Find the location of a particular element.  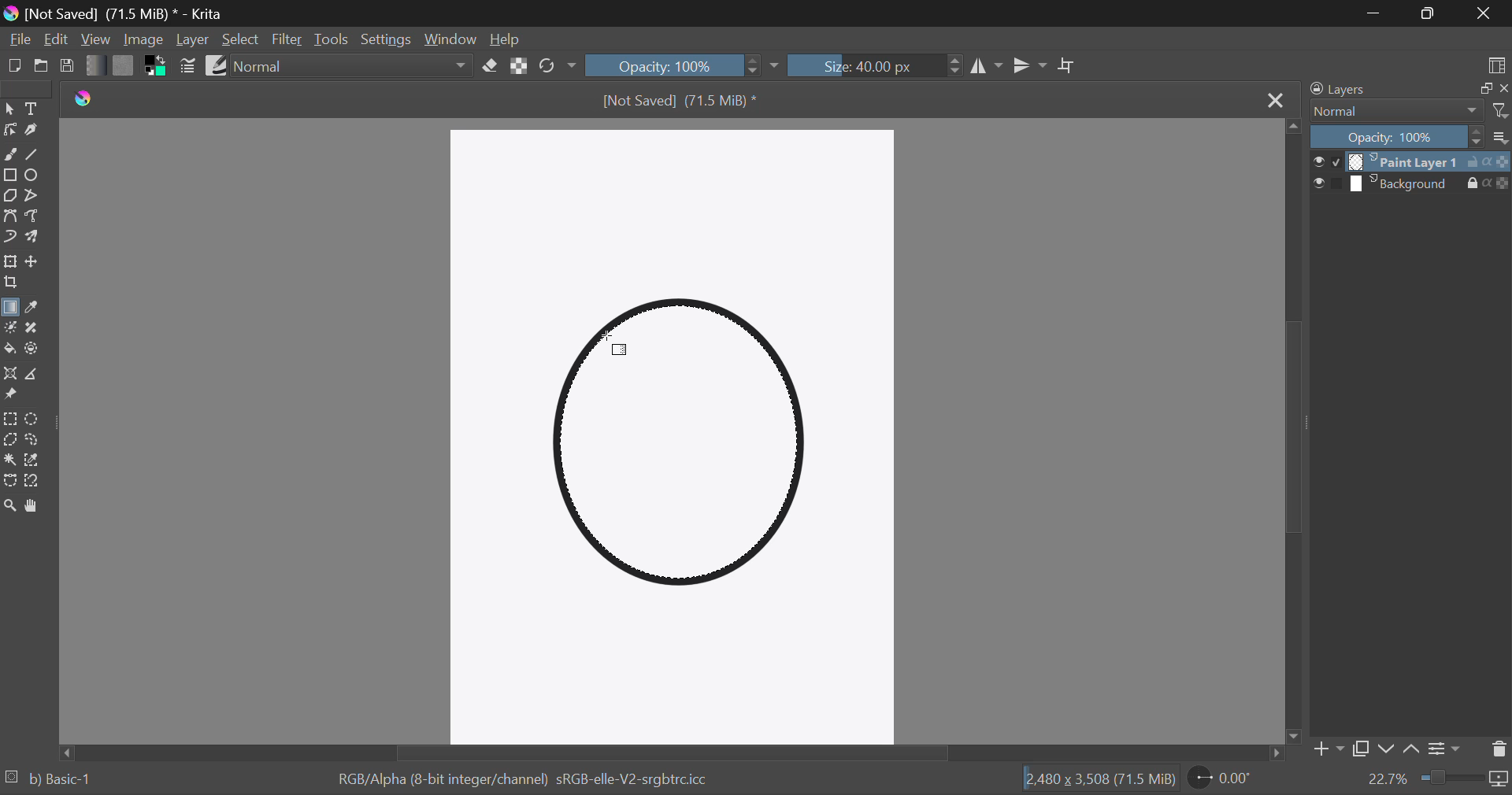

Close is located at coordinates (1276, 102).